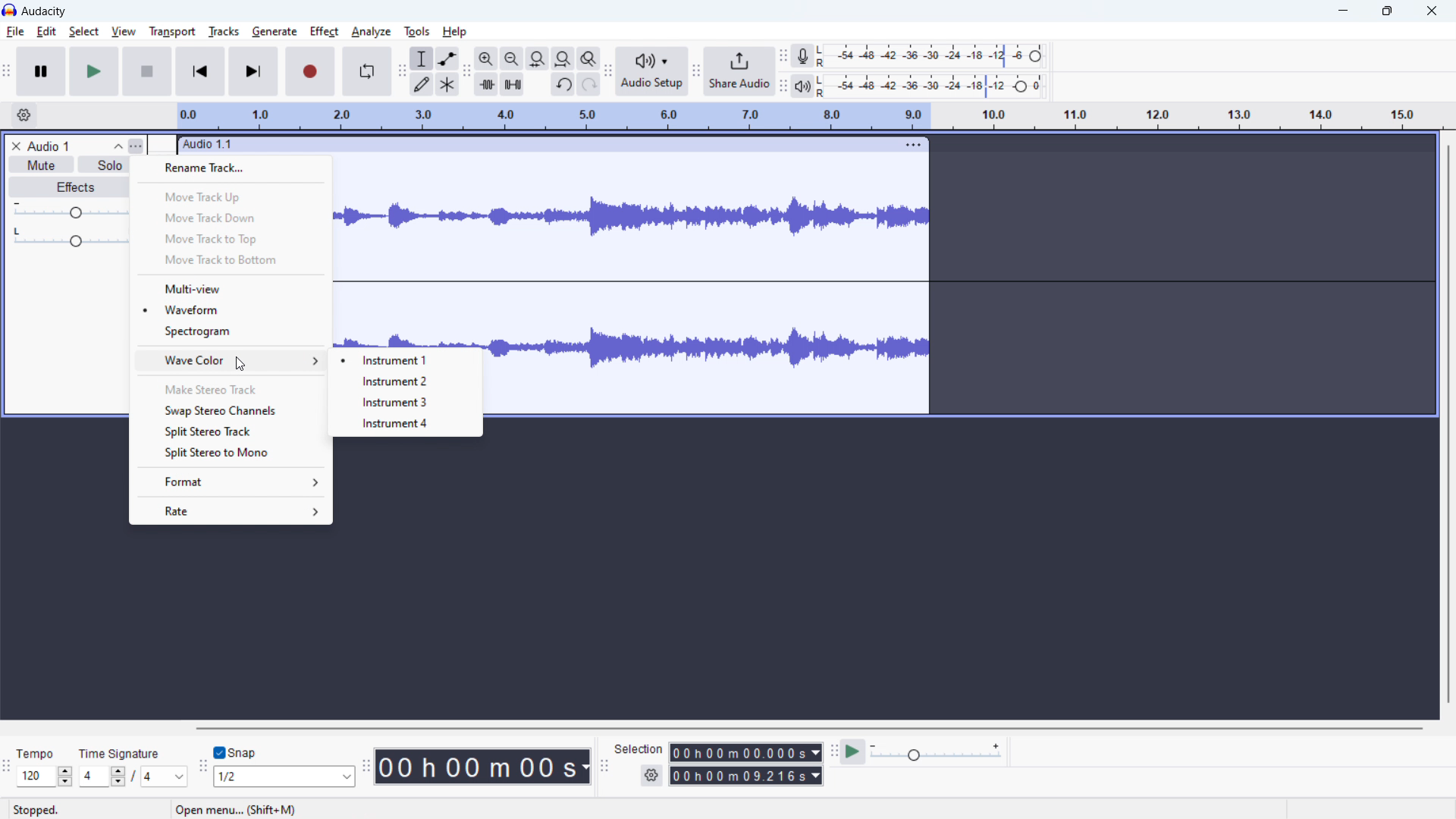 The width and height of the screenshot is (1456, 819). What do you see at coordinates (538, 58) in the screenshot?
I see `fit selection to width` at bounding box center [538, 58].